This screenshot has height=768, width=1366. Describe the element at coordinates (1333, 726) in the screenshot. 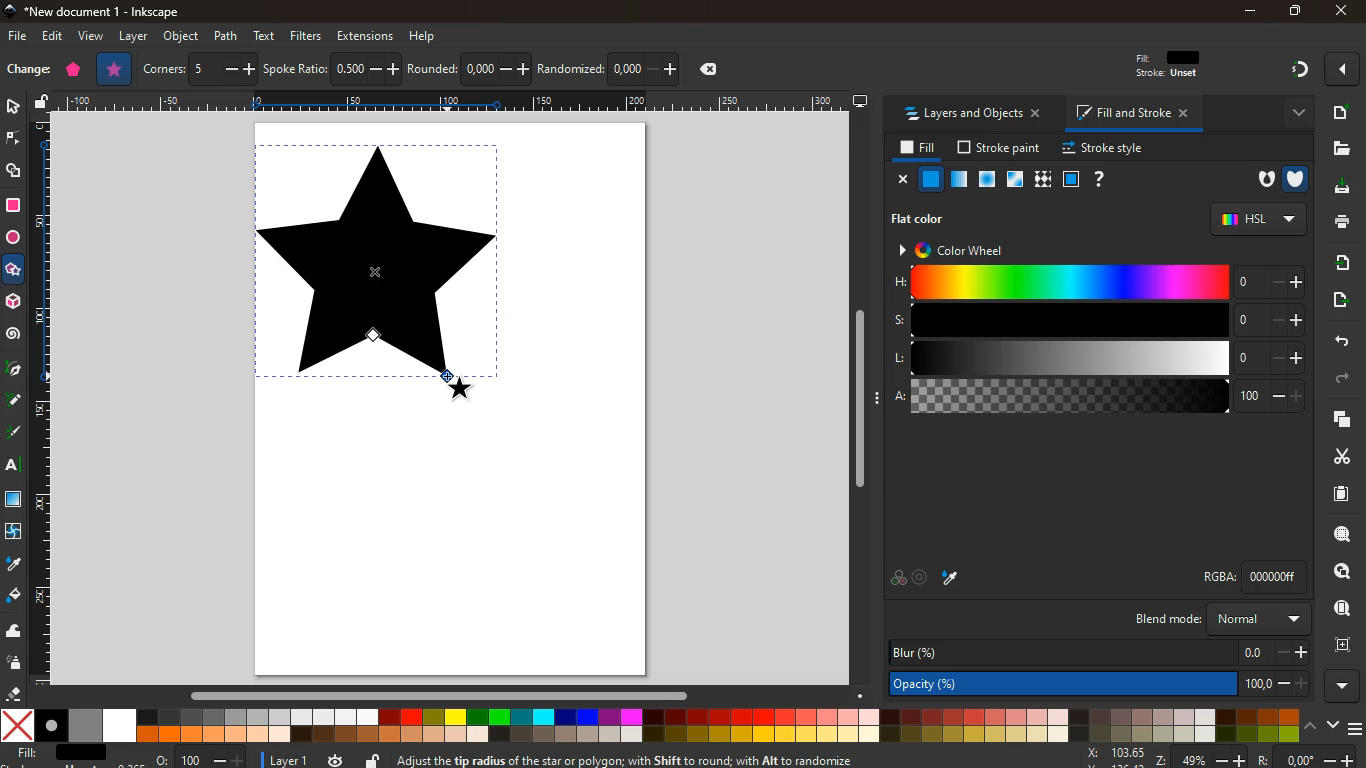

I see `down` at that location.